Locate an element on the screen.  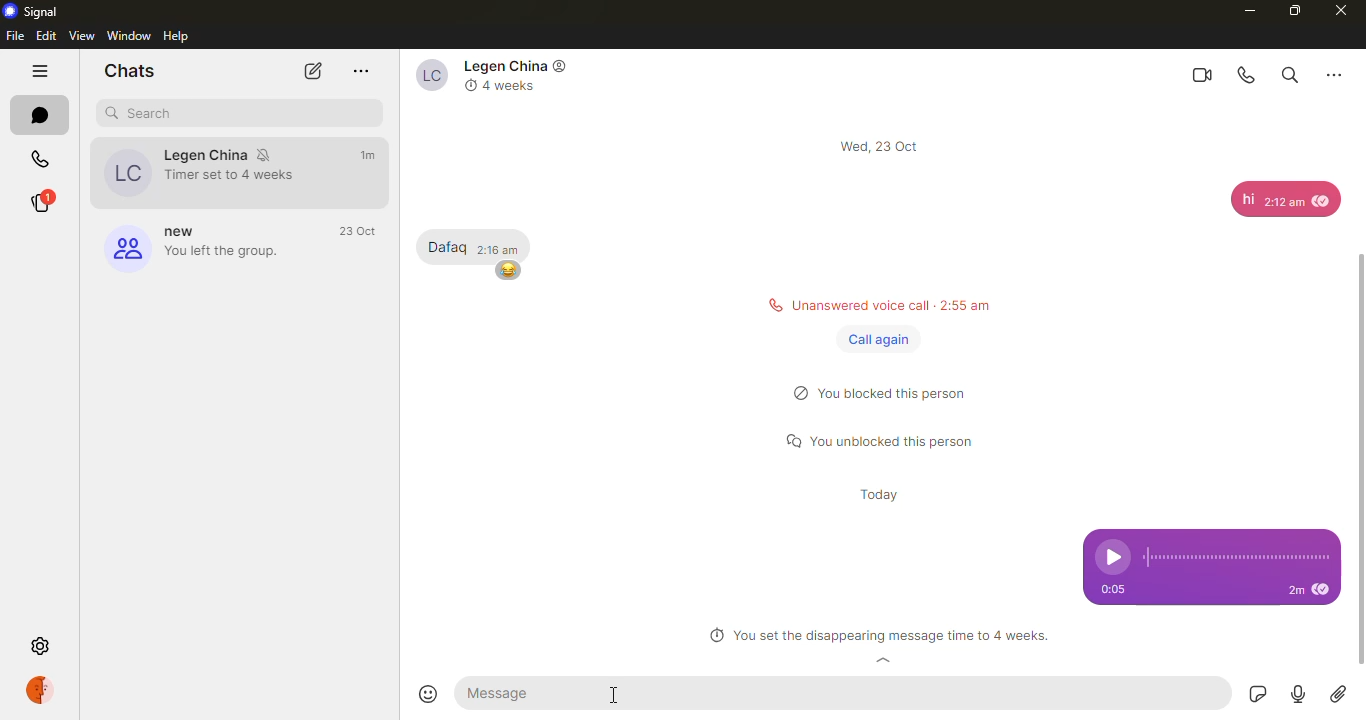
help is located at coordinates (179, 36).